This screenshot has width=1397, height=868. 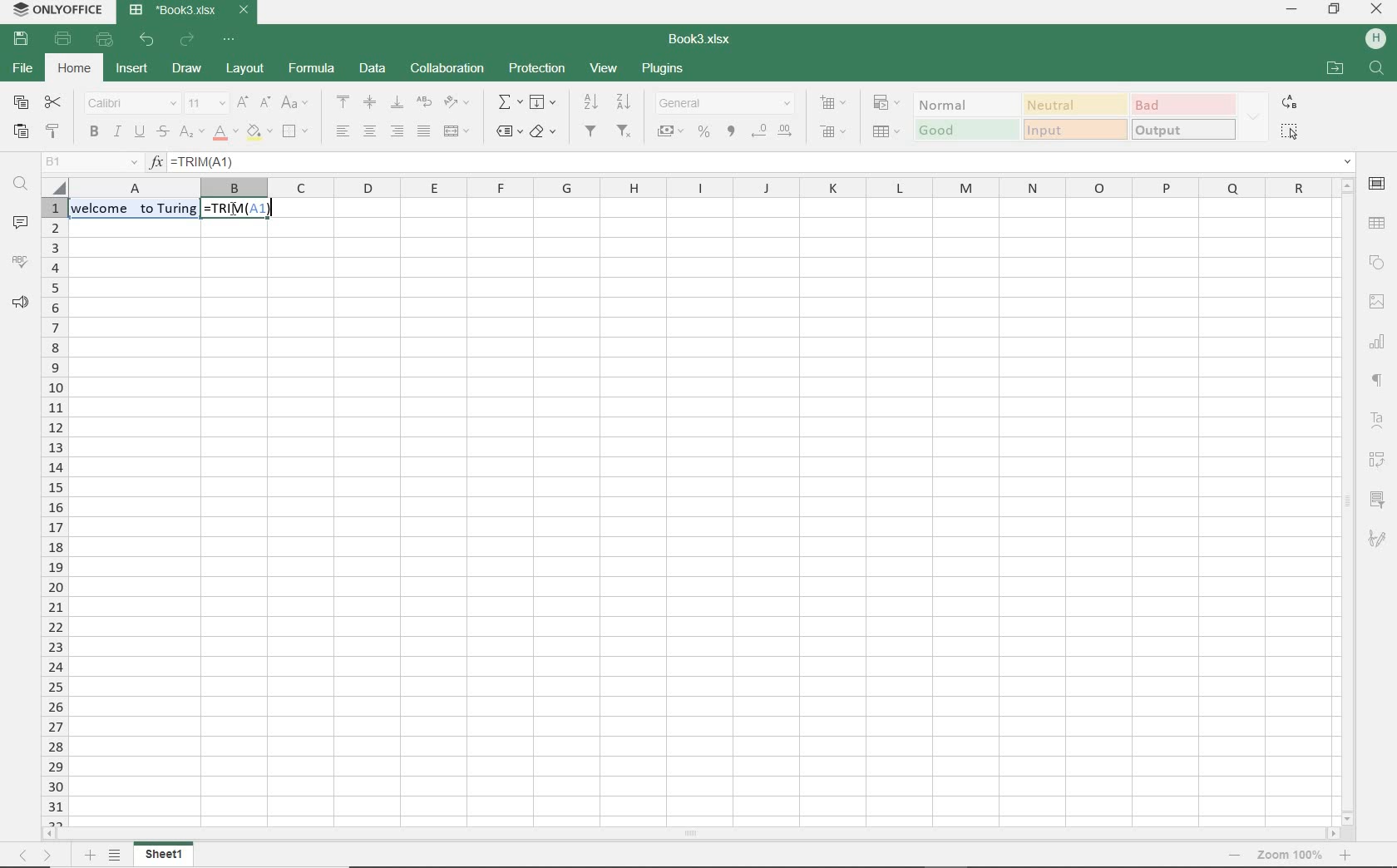 What do you see at coordinates (1377, 423) in the screenshot?
I see `text art` at bounding box center [1377, 423].